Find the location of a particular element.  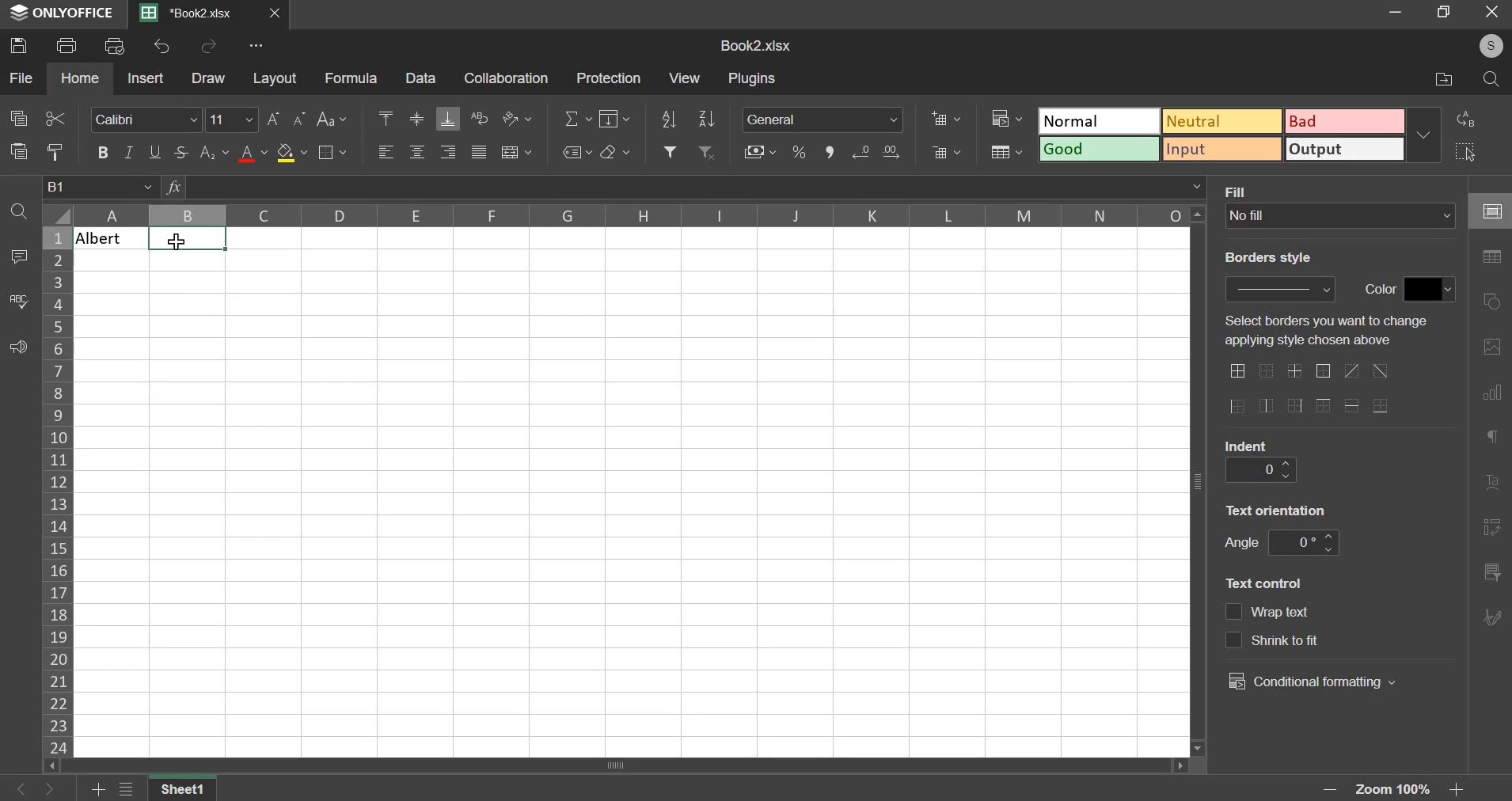

columns is located at coordinates (630, 215).